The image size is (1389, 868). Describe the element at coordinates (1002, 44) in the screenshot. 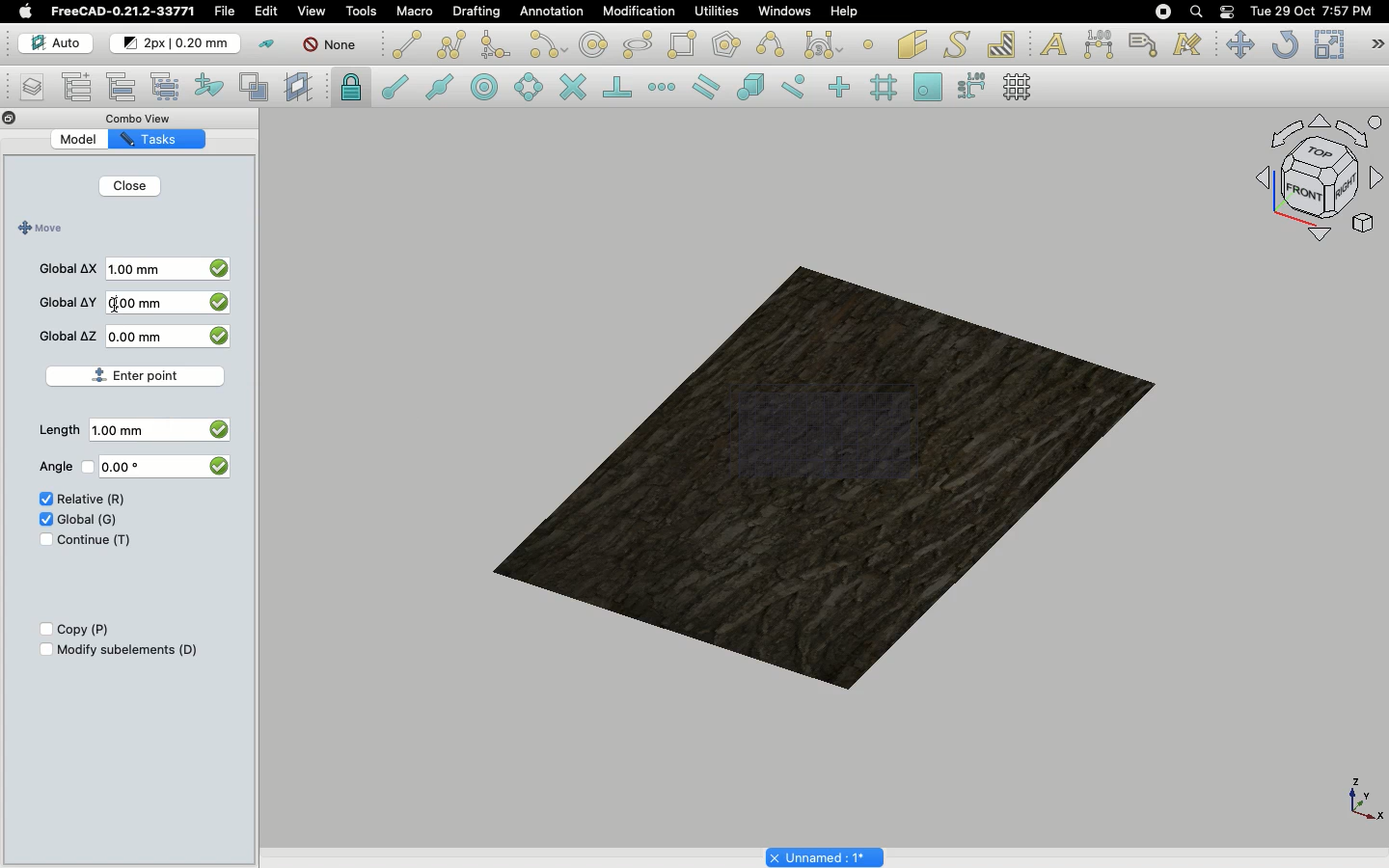

I see `Hatch` at that location.